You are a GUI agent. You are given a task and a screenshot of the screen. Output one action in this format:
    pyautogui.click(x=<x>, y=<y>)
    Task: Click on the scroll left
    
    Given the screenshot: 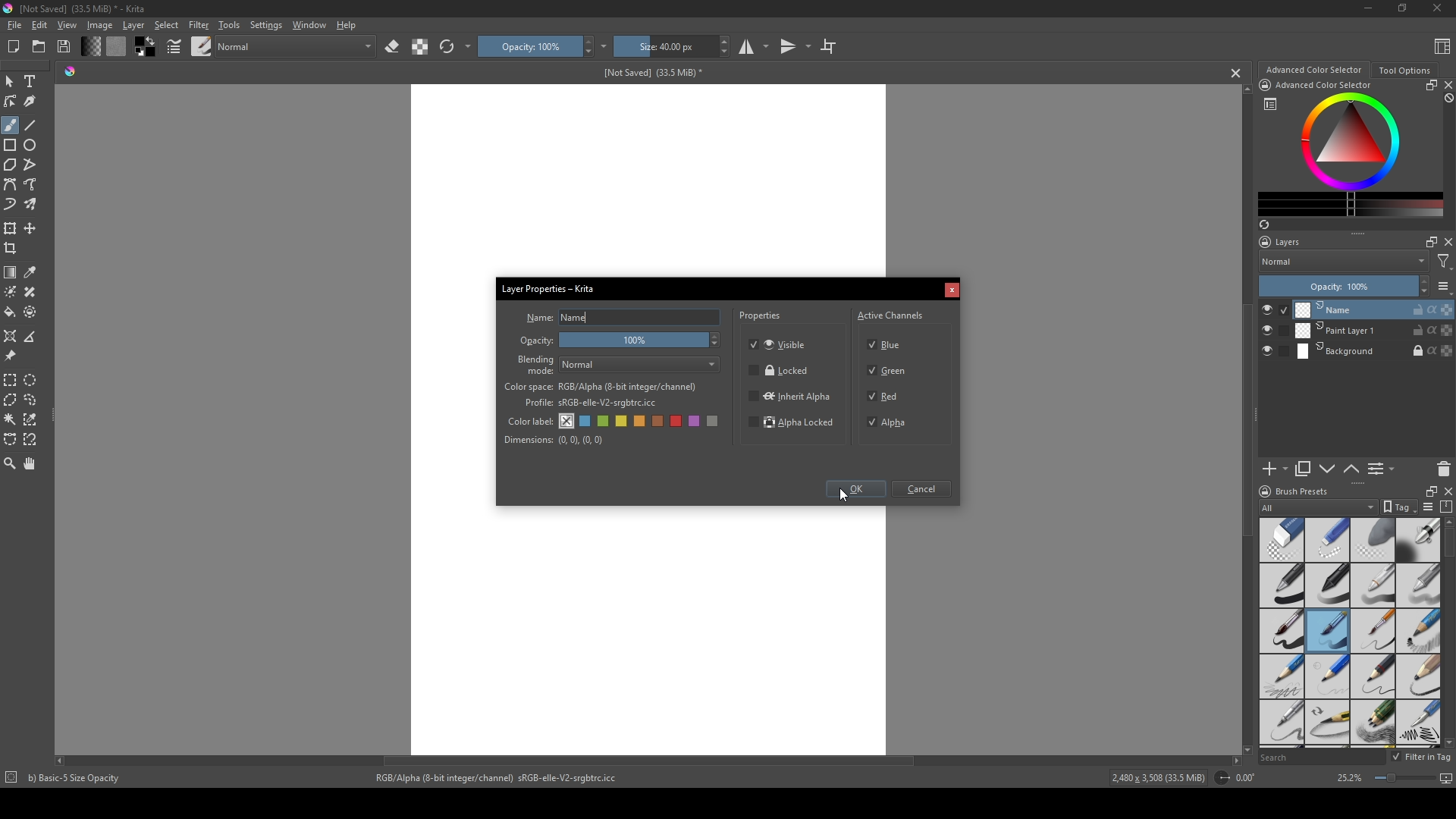 What is the action you would take?
    pyautogui.click(x=63, y=761)
    